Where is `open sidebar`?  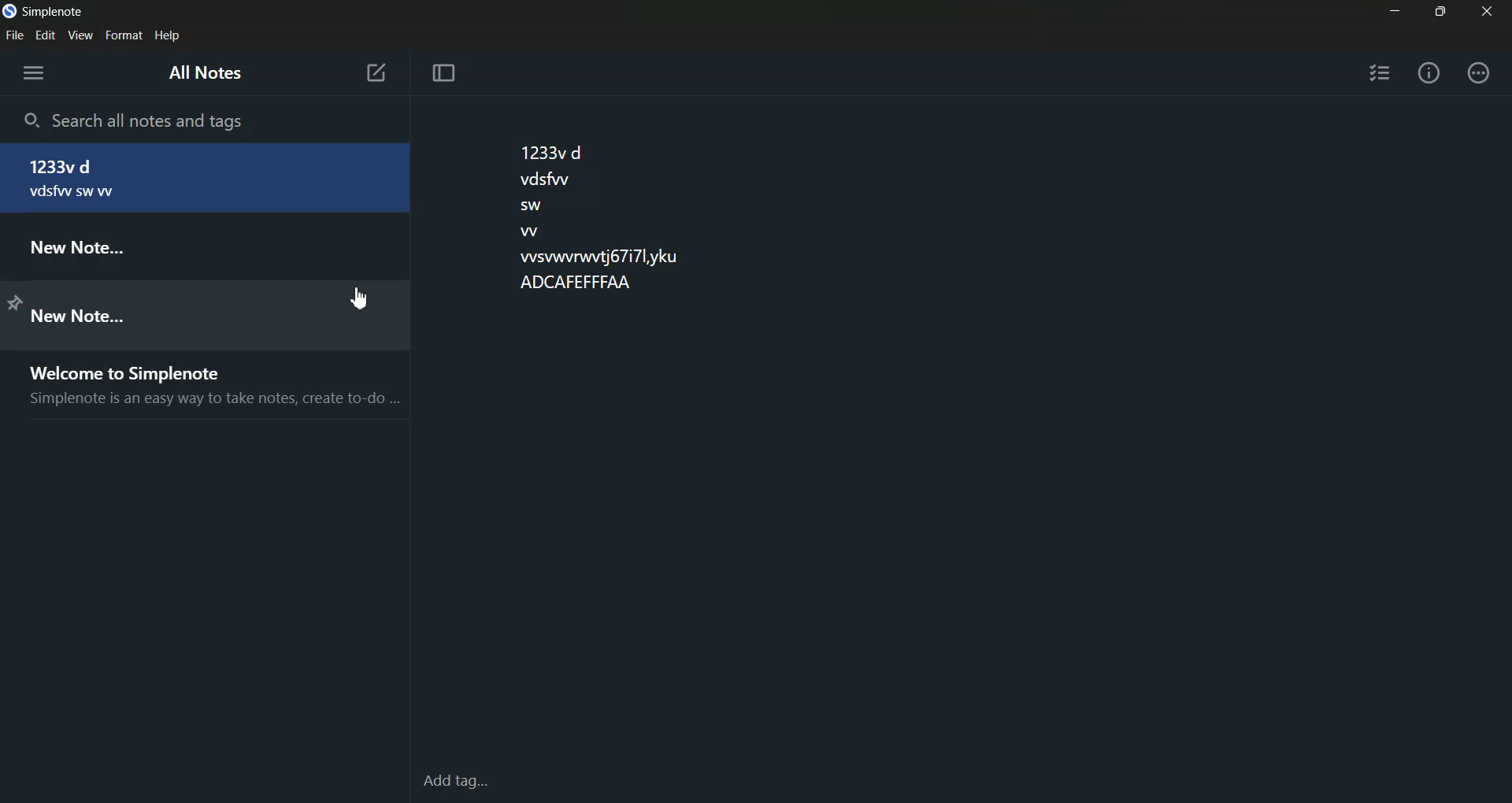 open sidebar is located at coordinates (34, 72).